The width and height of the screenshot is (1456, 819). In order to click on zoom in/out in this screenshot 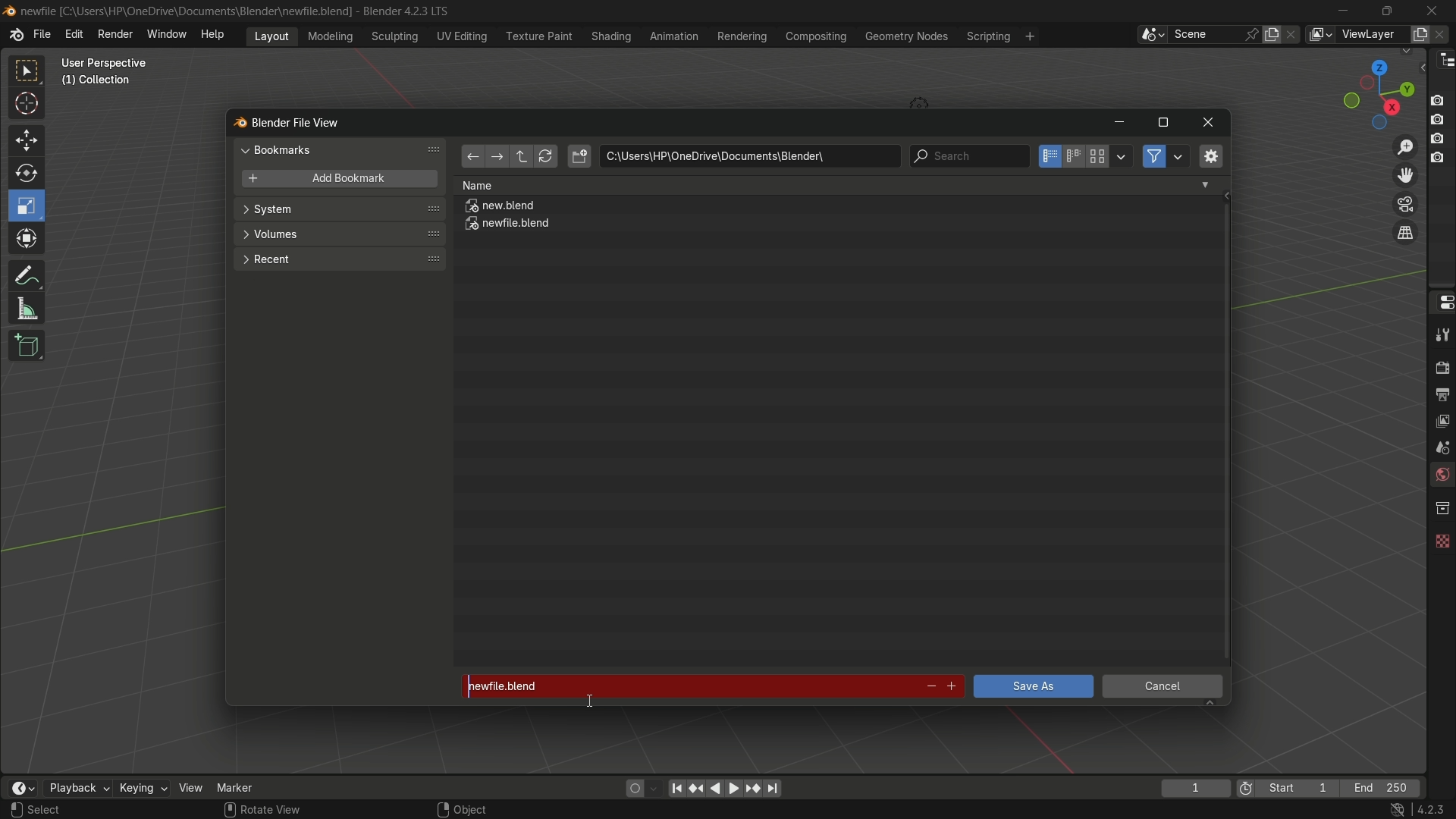, I will do `click(1406, 145)`.